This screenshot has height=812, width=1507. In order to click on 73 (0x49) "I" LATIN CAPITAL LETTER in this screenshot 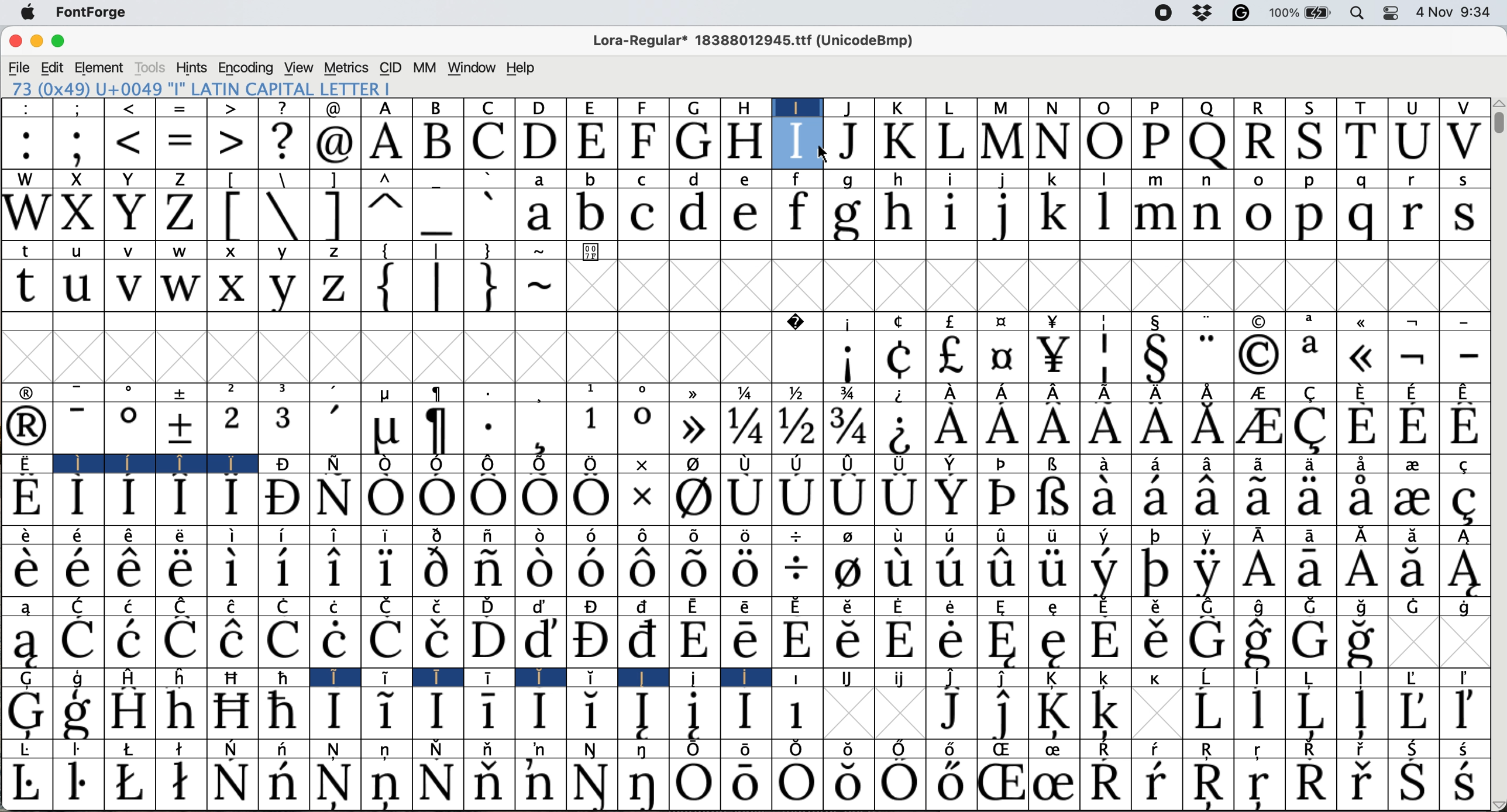, I will do `click(218, 89)`.